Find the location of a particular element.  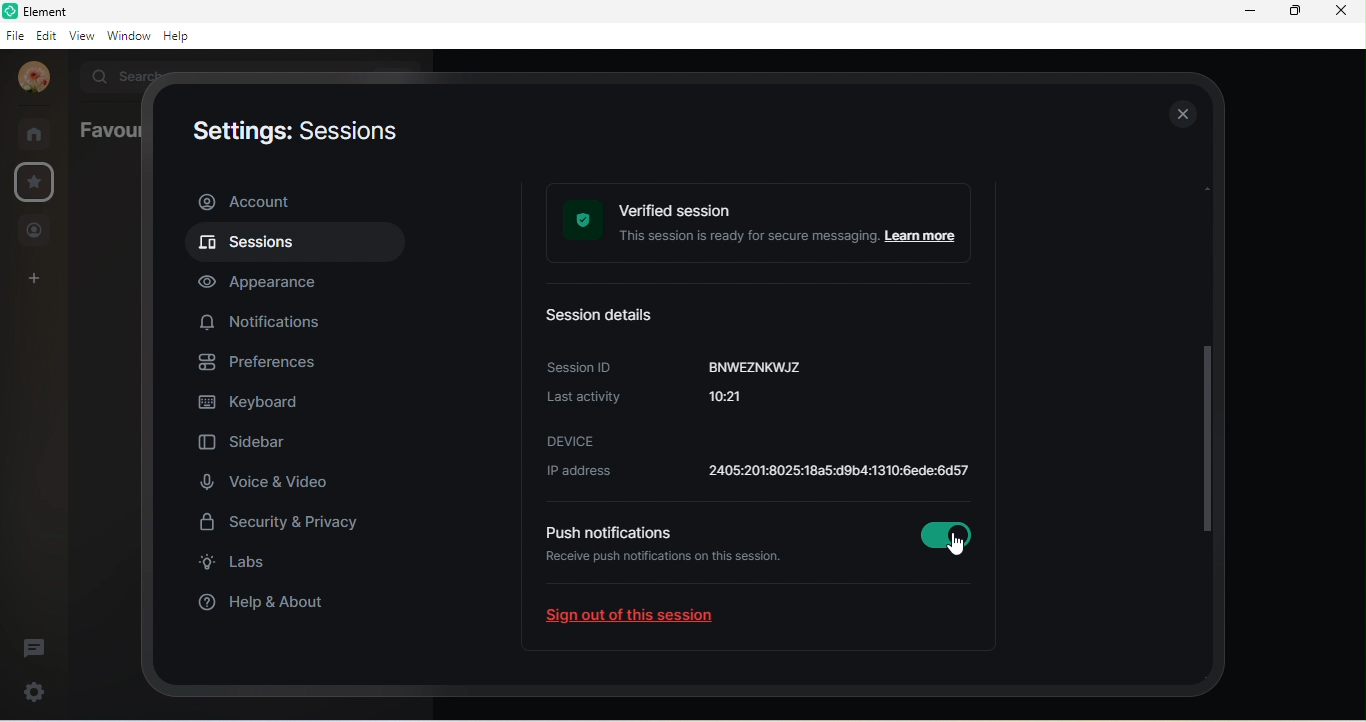

help and about is located at coordinates (273, 601).